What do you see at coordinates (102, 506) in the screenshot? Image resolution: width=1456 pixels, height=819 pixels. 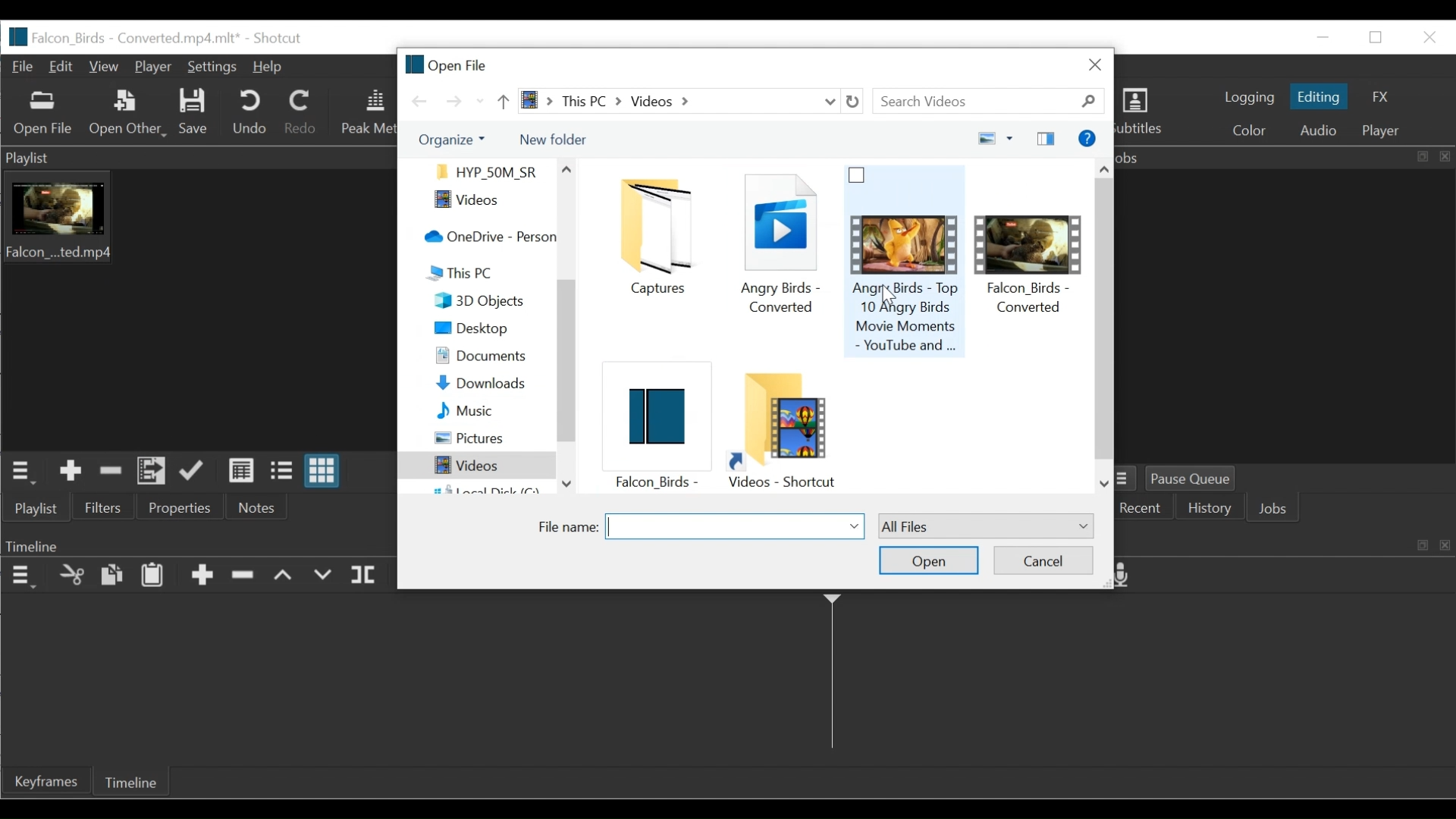 I see `Filters` at bounding box center [102, 506].